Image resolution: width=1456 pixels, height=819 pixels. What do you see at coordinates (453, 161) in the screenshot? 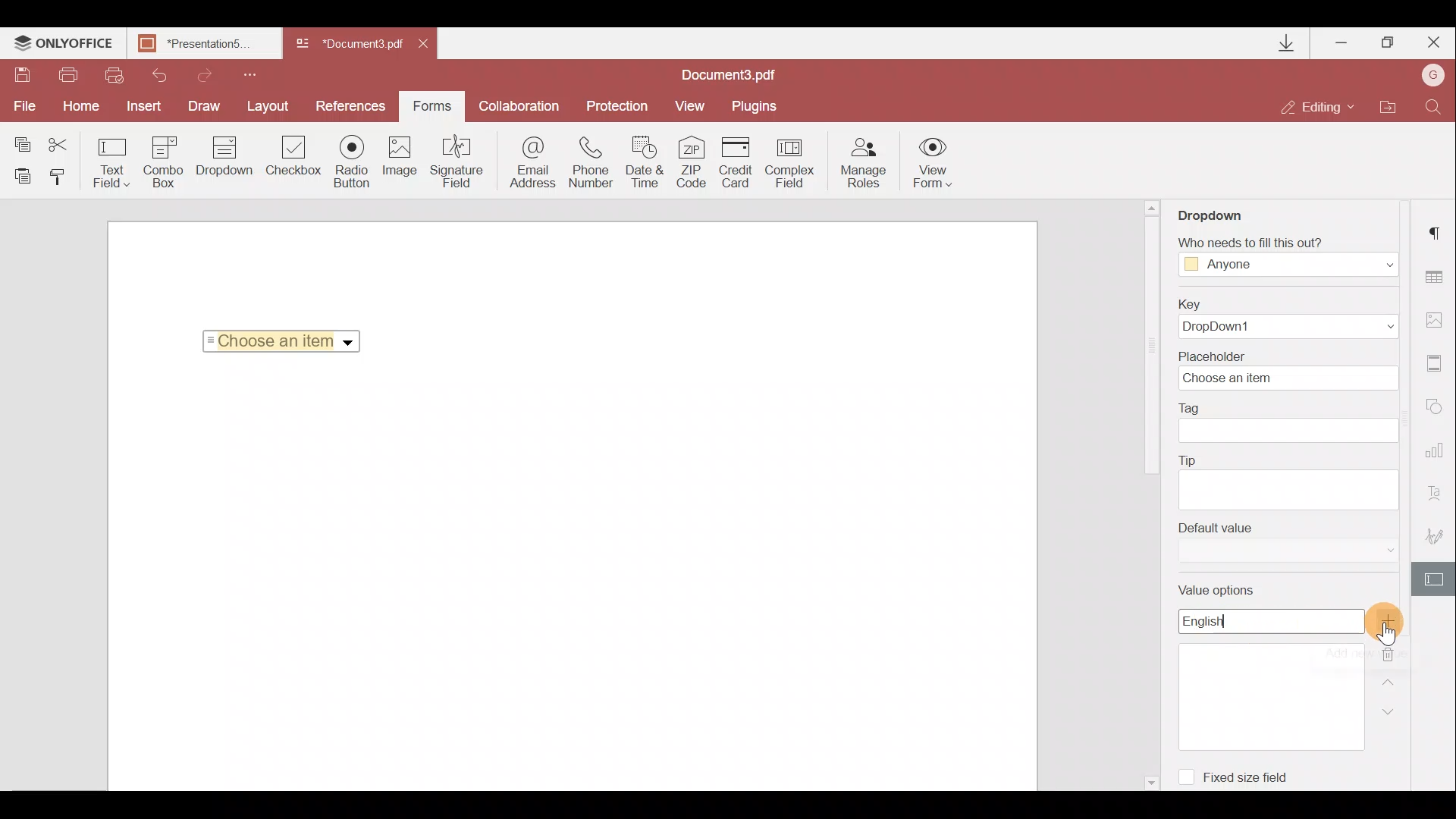
I see `Signature field` at bounding box center [453, 161].